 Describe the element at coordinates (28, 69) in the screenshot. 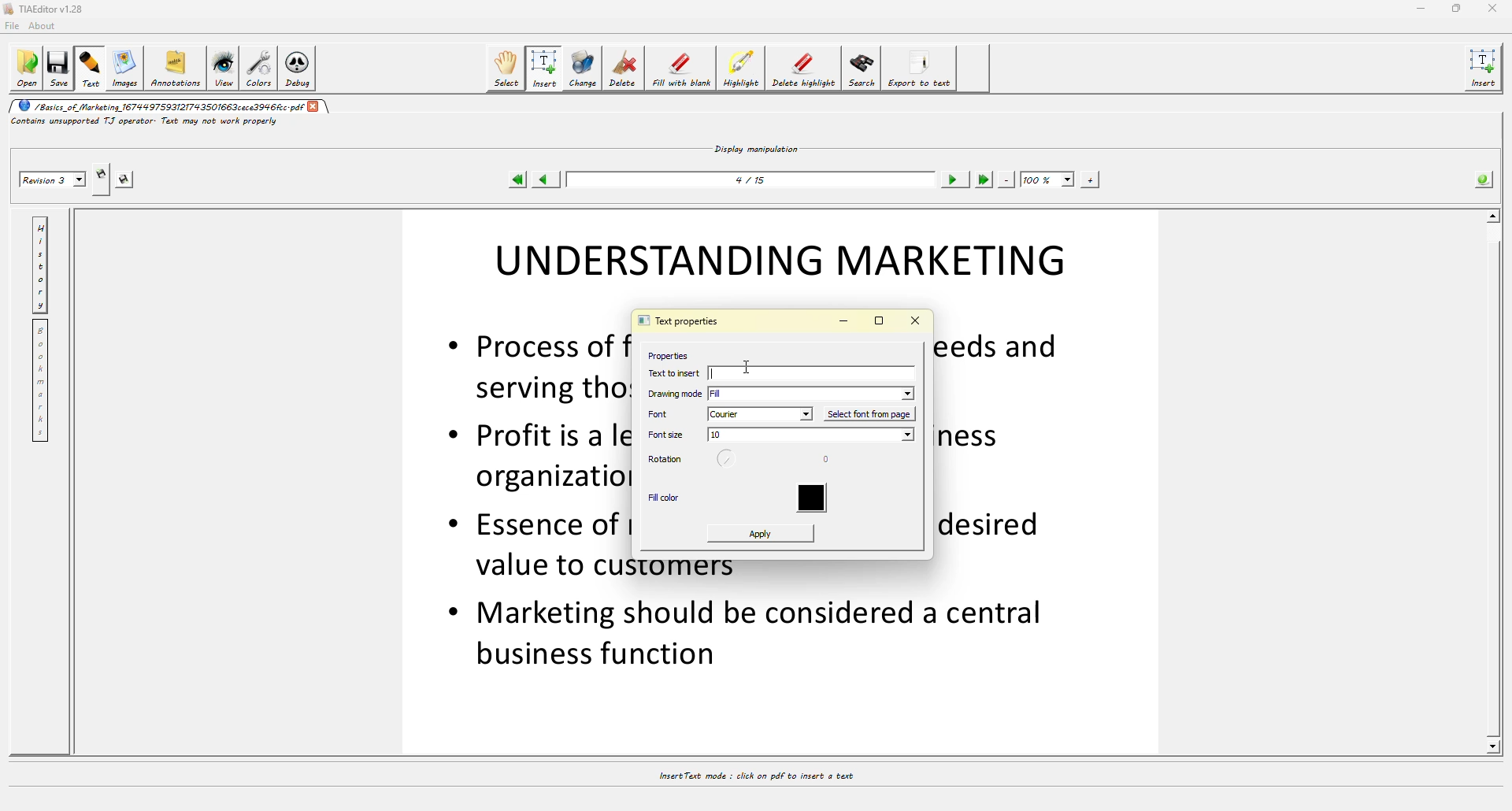

I see `open` at that location.